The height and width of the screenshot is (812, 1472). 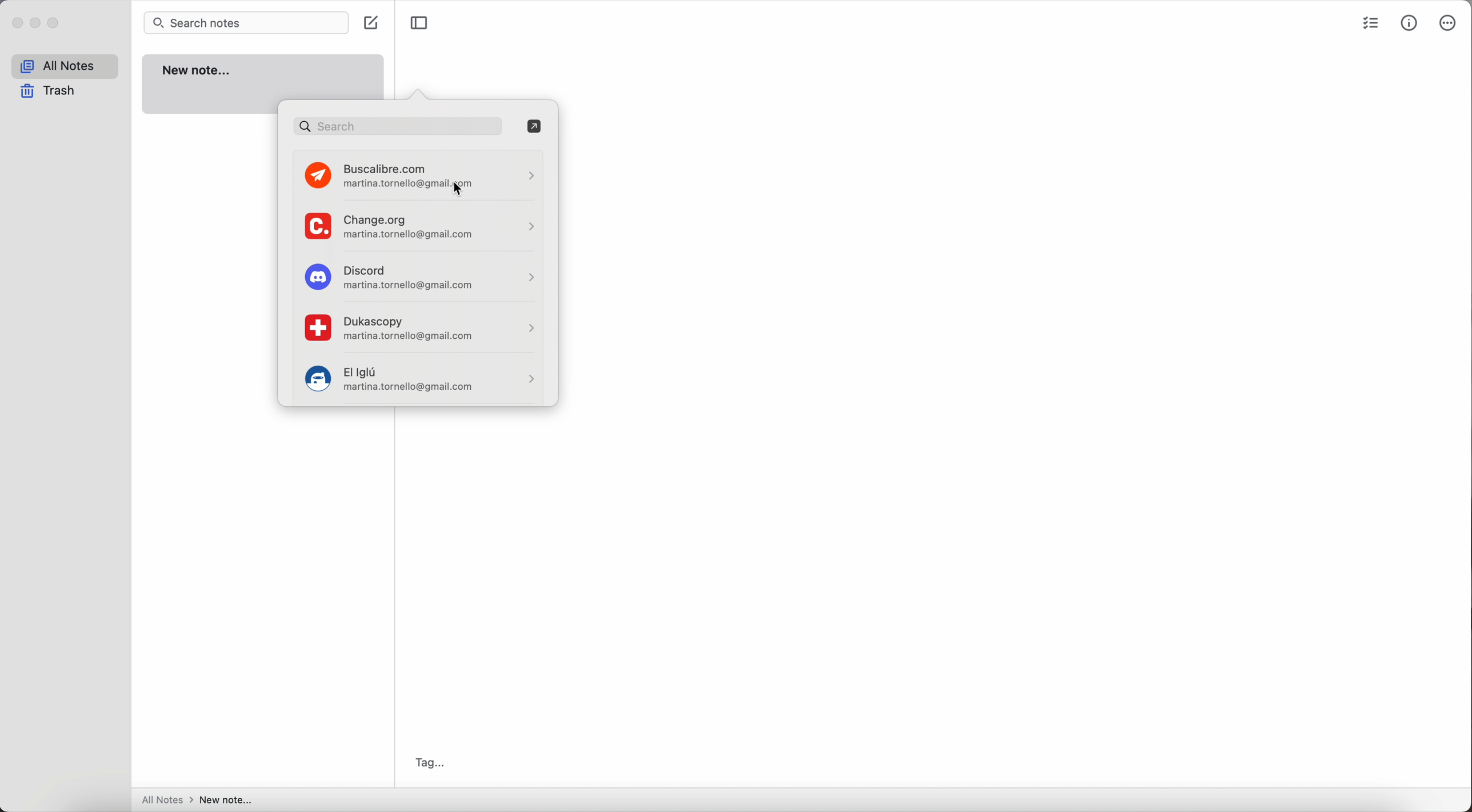 I want to click on trash, so click(x=48, y=92).